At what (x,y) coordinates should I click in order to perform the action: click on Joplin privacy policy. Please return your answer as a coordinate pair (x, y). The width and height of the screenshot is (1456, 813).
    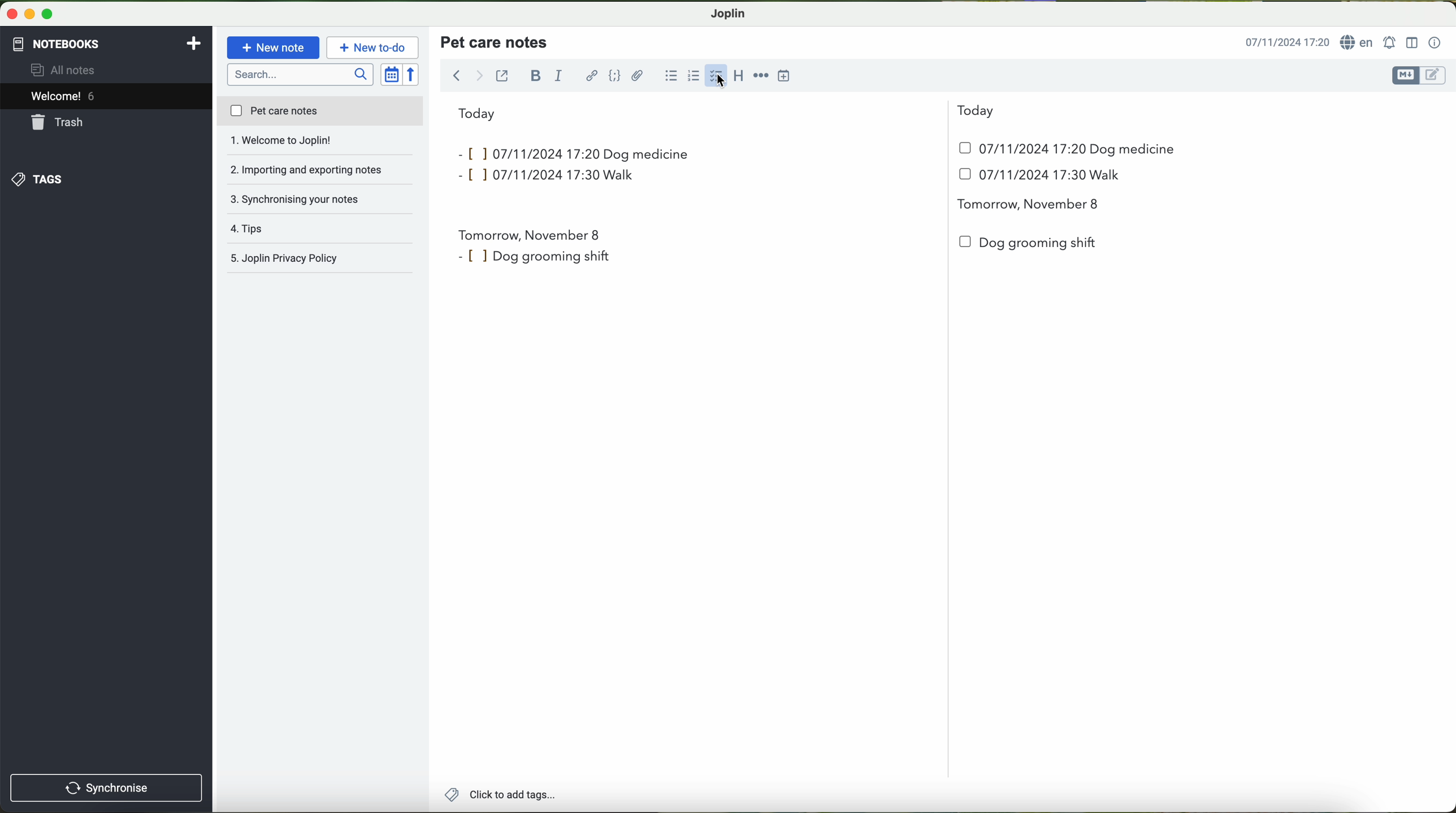
    Looking at the image, I should click on (321, 229).